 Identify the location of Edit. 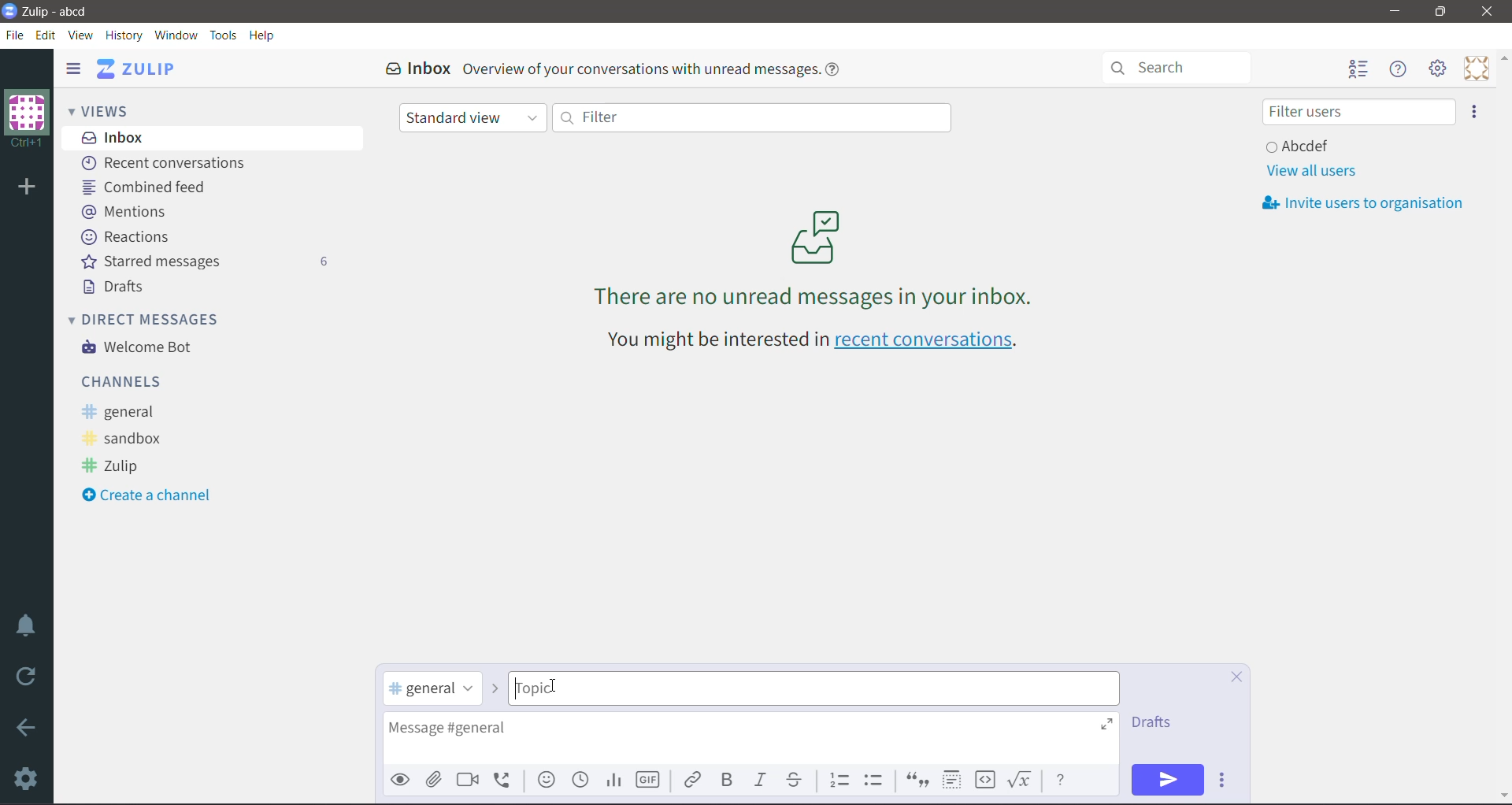
(46, 35).